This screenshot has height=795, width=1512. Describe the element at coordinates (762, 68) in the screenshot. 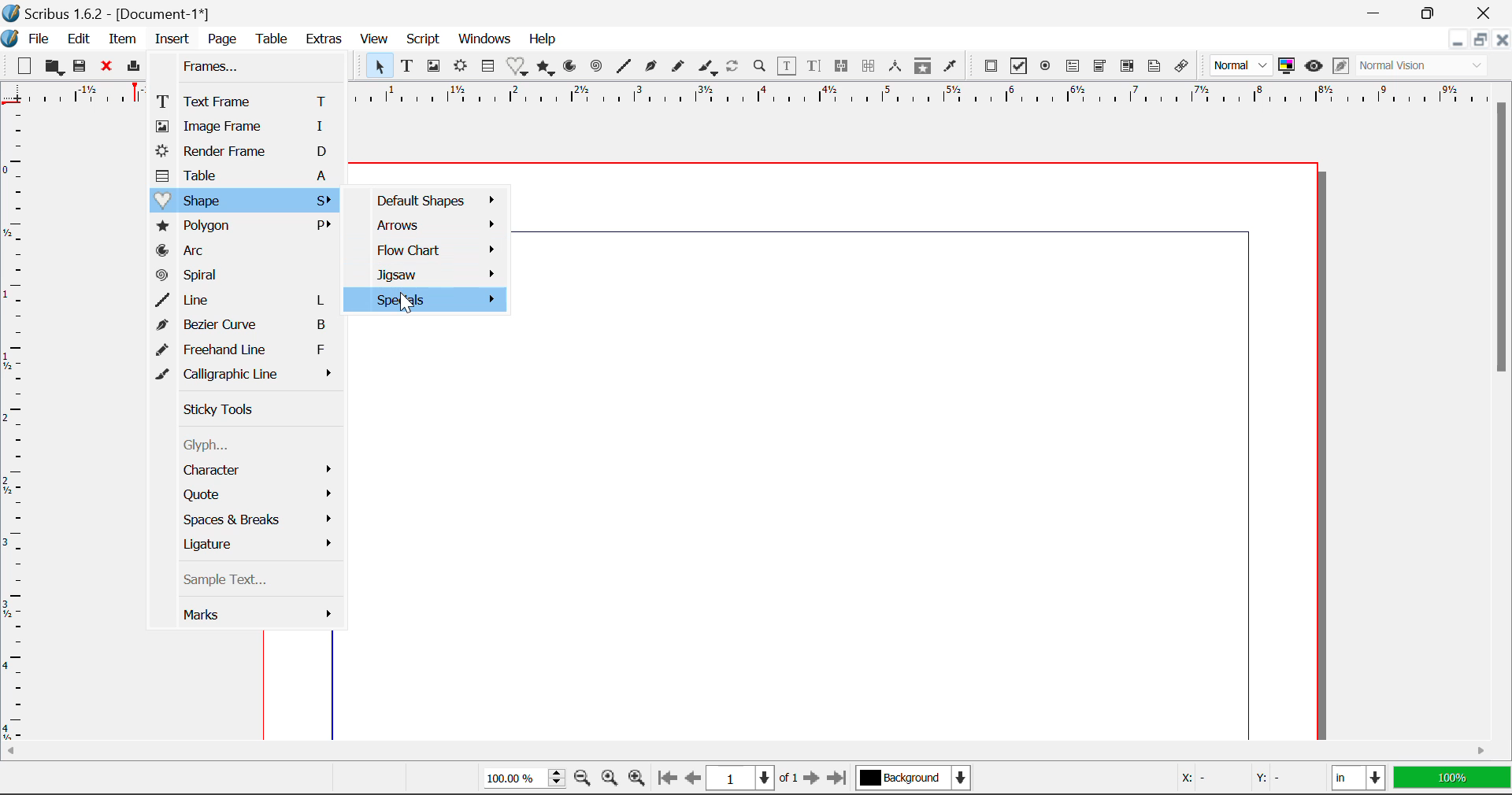

I see `Zoom` at that location.